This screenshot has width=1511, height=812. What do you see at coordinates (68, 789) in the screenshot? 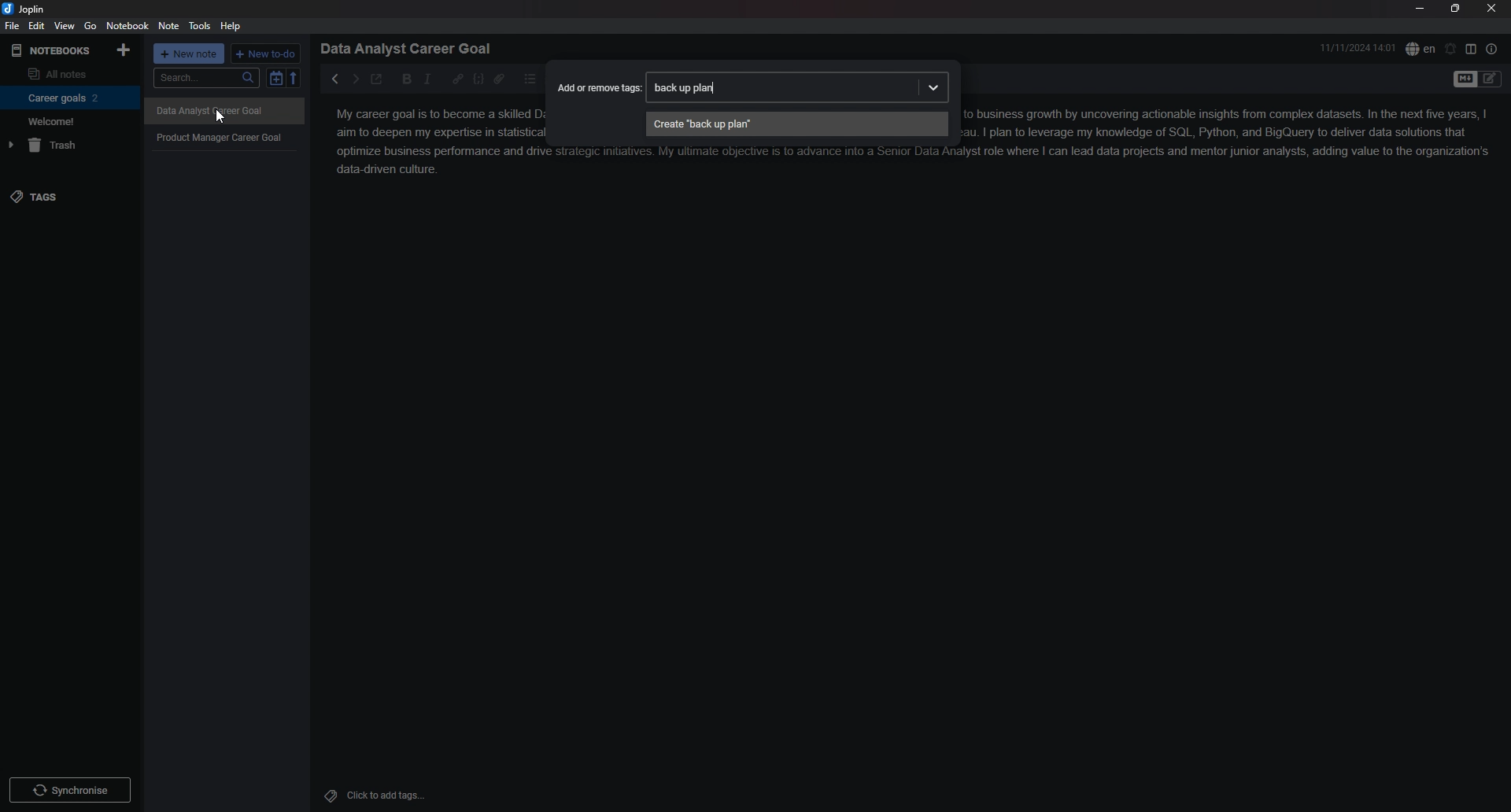
I see `synchronise` at bounding box center [68, 789].